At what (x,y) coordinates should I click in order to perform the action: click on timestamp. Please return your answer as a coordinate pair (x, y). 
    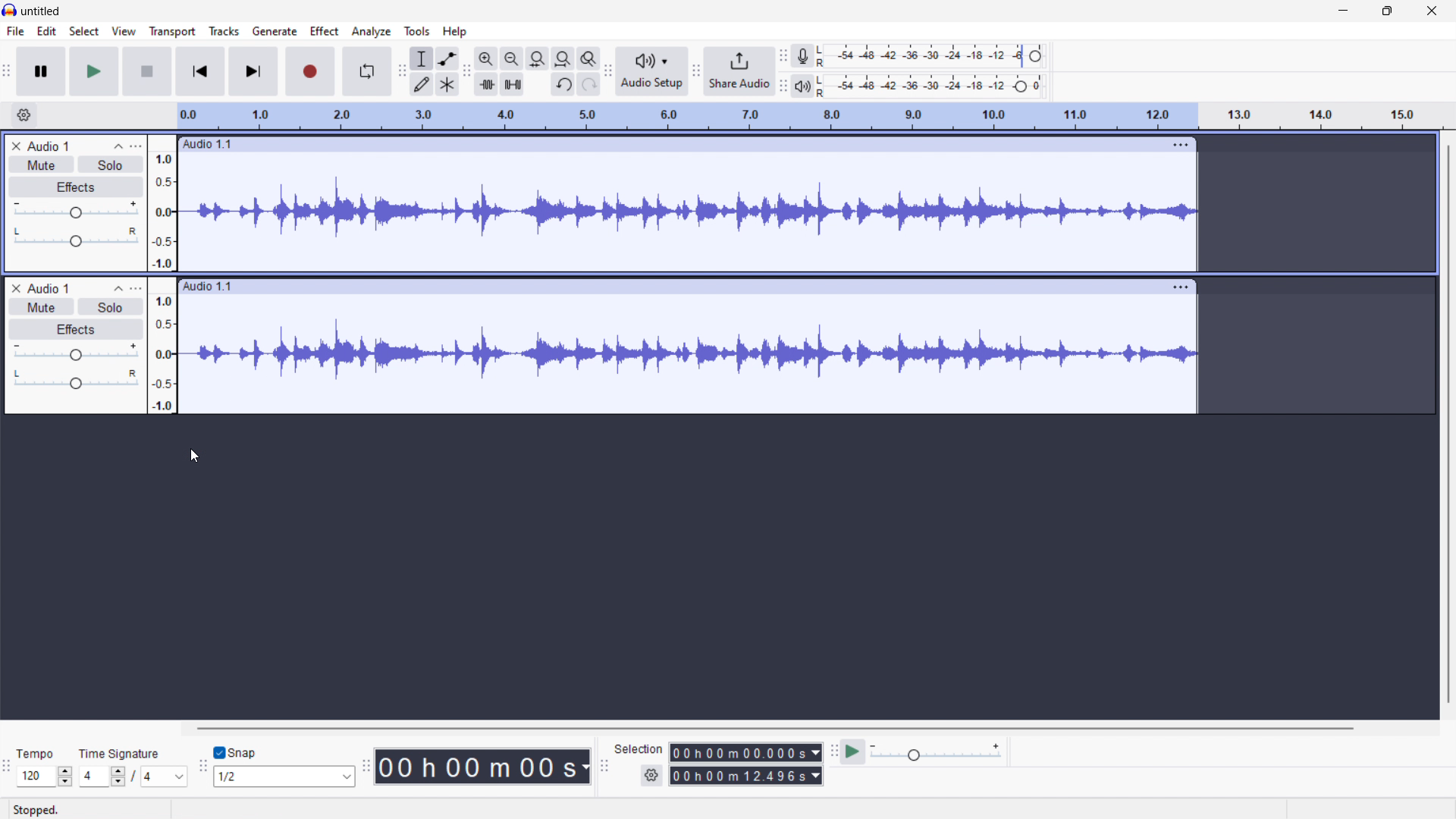
    Looking at the image, I should click on (484, 767).